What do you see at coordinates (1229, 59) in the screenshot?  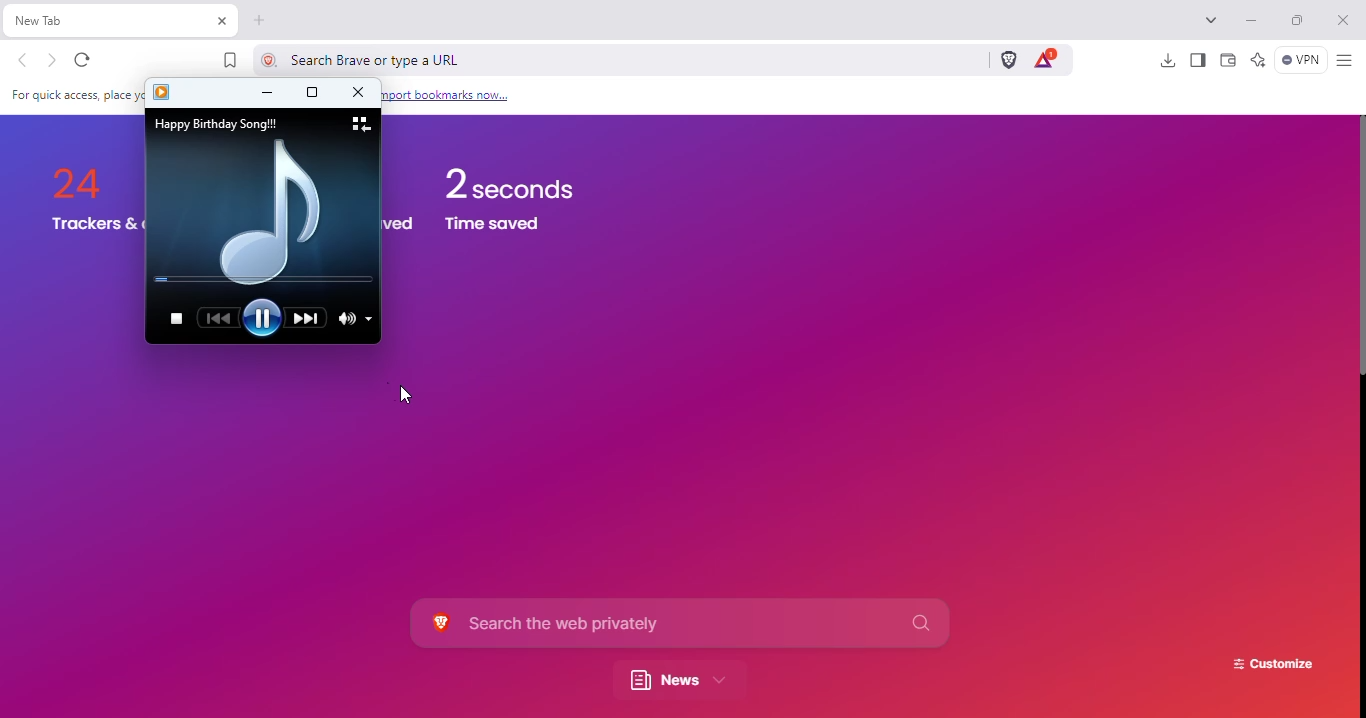 I see `wallet` at bounding box center [1229, 59].